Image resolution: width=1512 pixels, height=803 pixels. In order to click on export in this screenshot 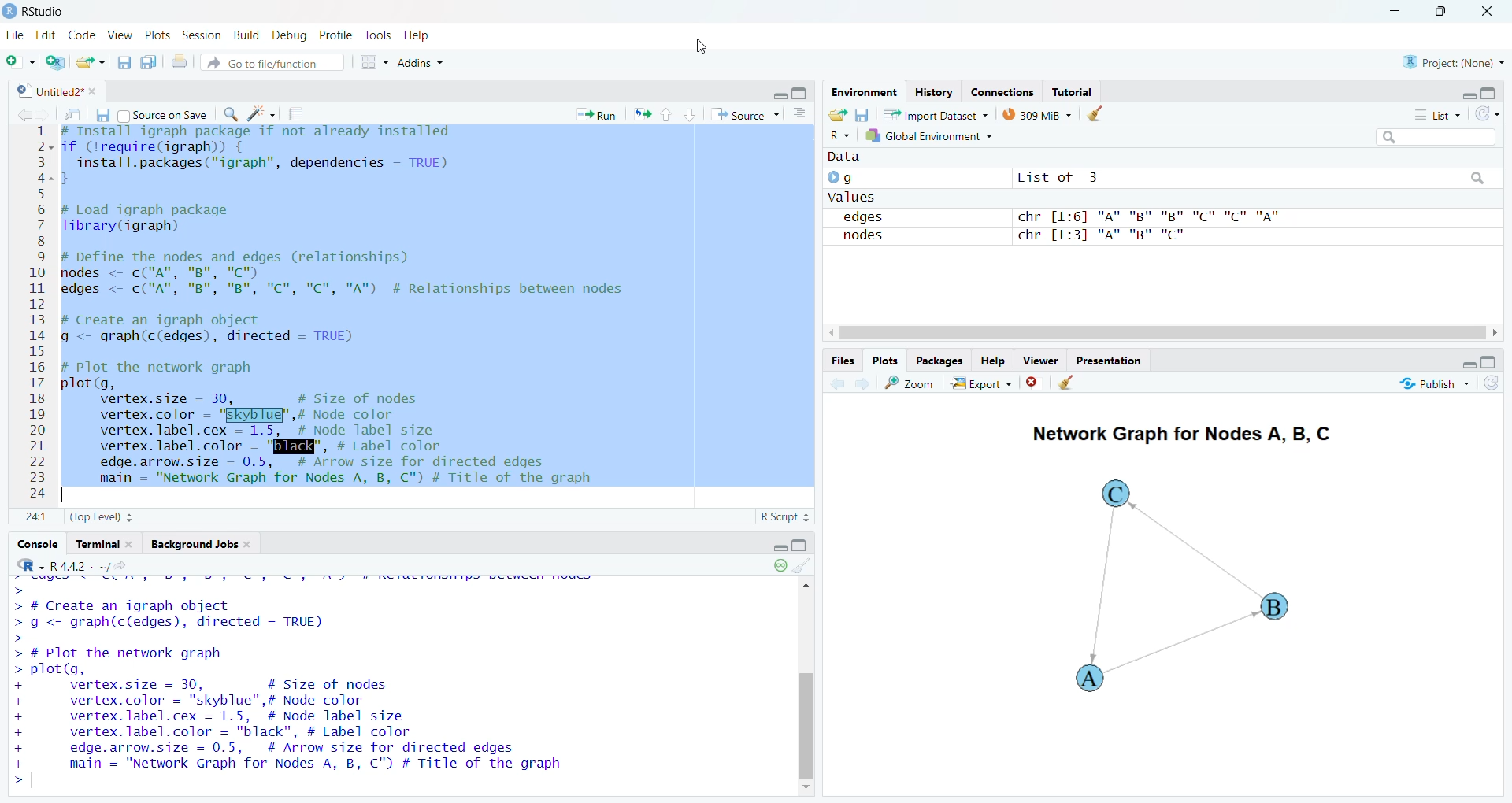, I will do `click(644, 116)`.